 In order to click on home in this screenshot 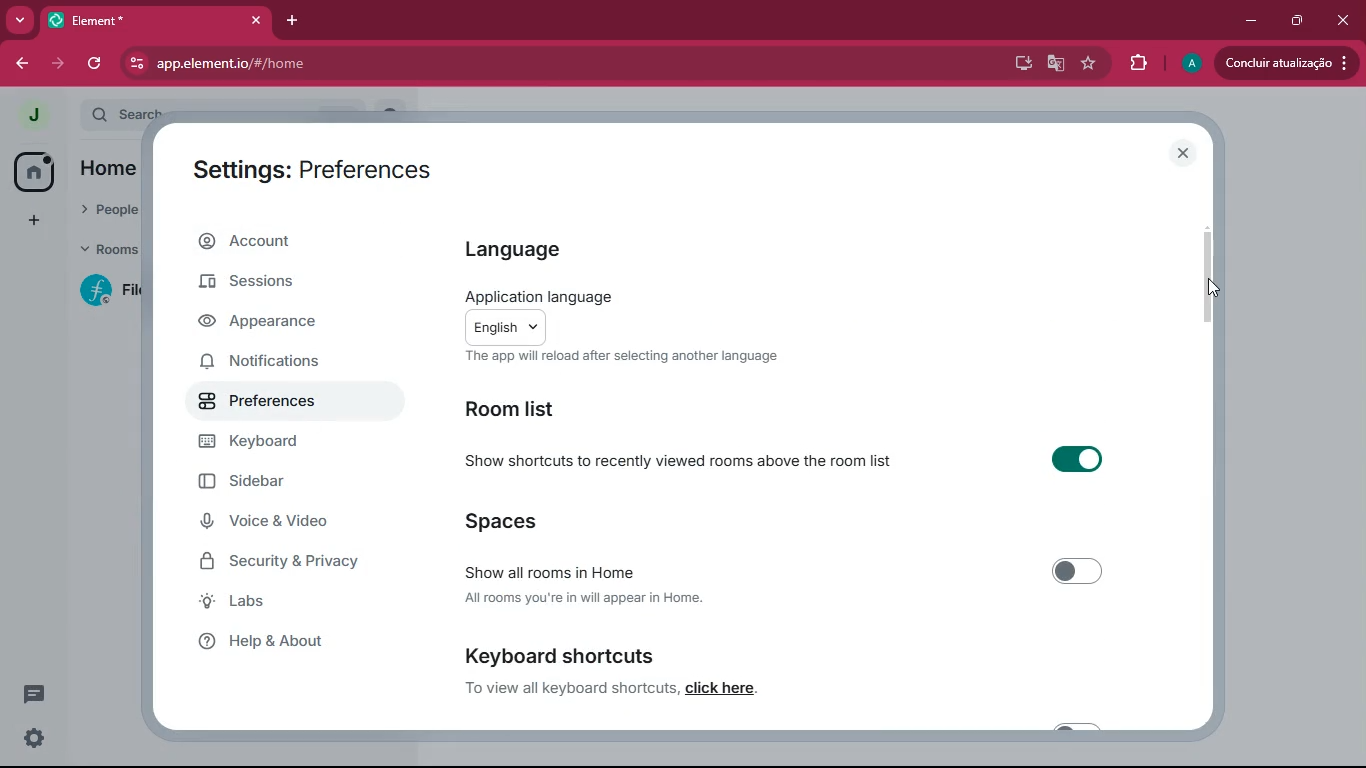, I will do `click(107, 173)`.